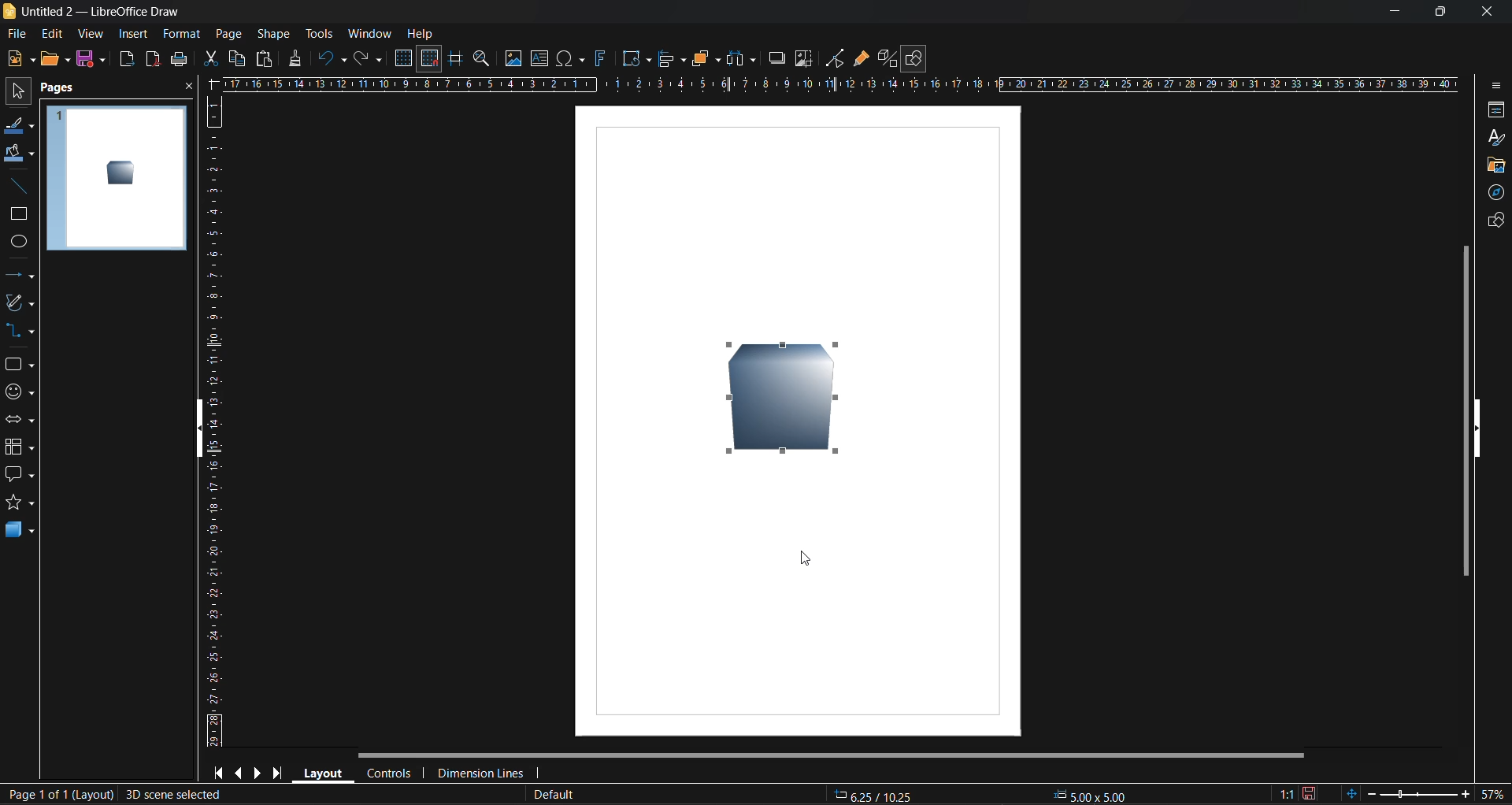 The width and height of the screenshot is (1512, 805). Describe the element at coordinates (333, 59) in the screenshot. I see `undo` at that location.